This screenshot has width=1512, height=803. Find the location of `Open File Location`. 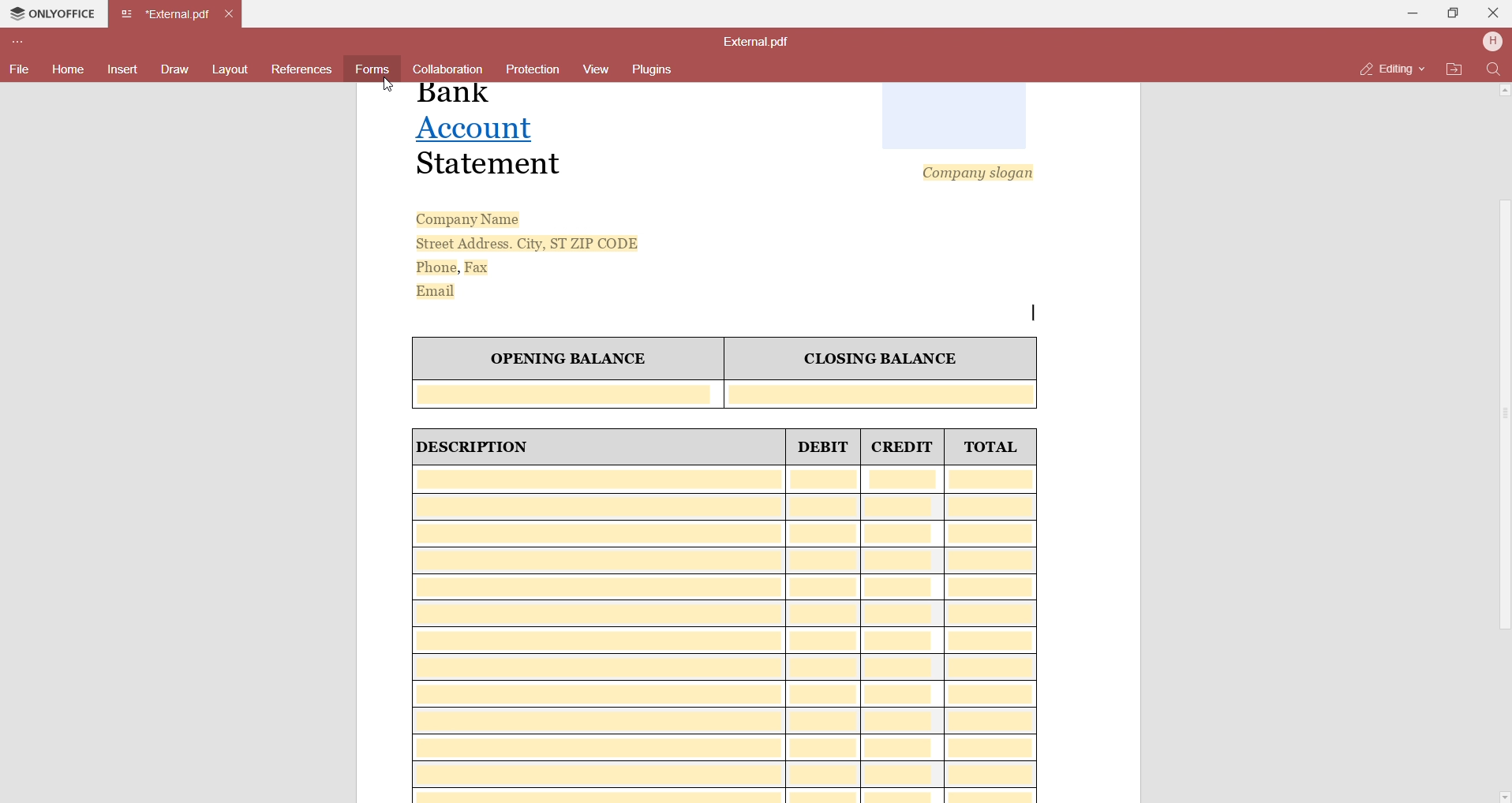

Open File Location is located at coordinates (1454, 69).